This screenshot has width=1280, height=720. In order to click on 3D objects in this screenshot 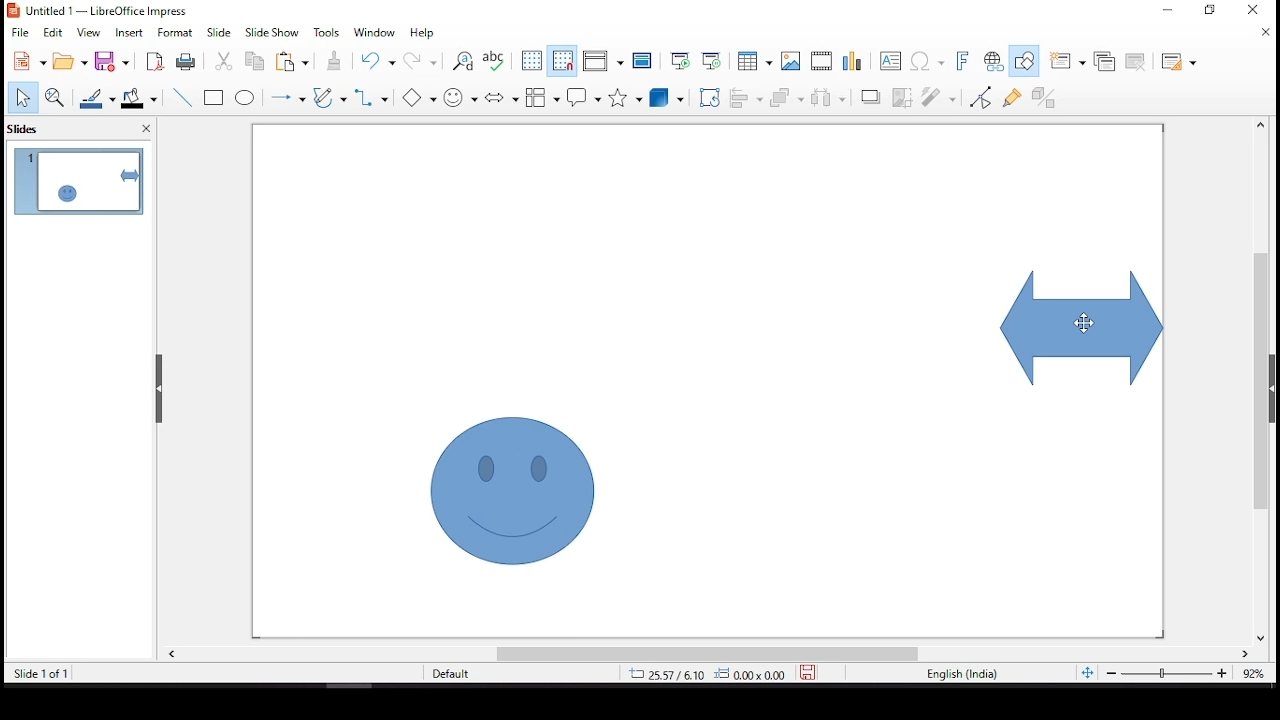, I will do `click(667, 99)`.